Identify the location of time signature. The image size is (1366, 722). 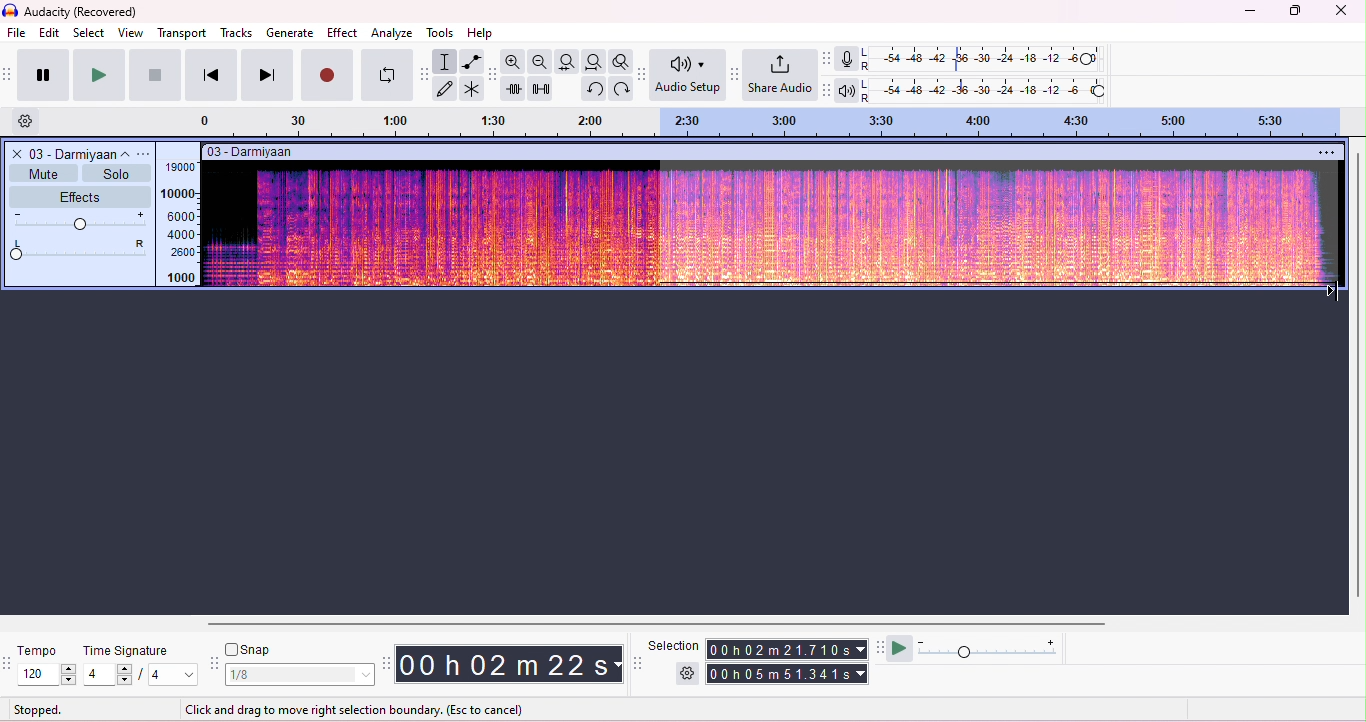
(129, 651).